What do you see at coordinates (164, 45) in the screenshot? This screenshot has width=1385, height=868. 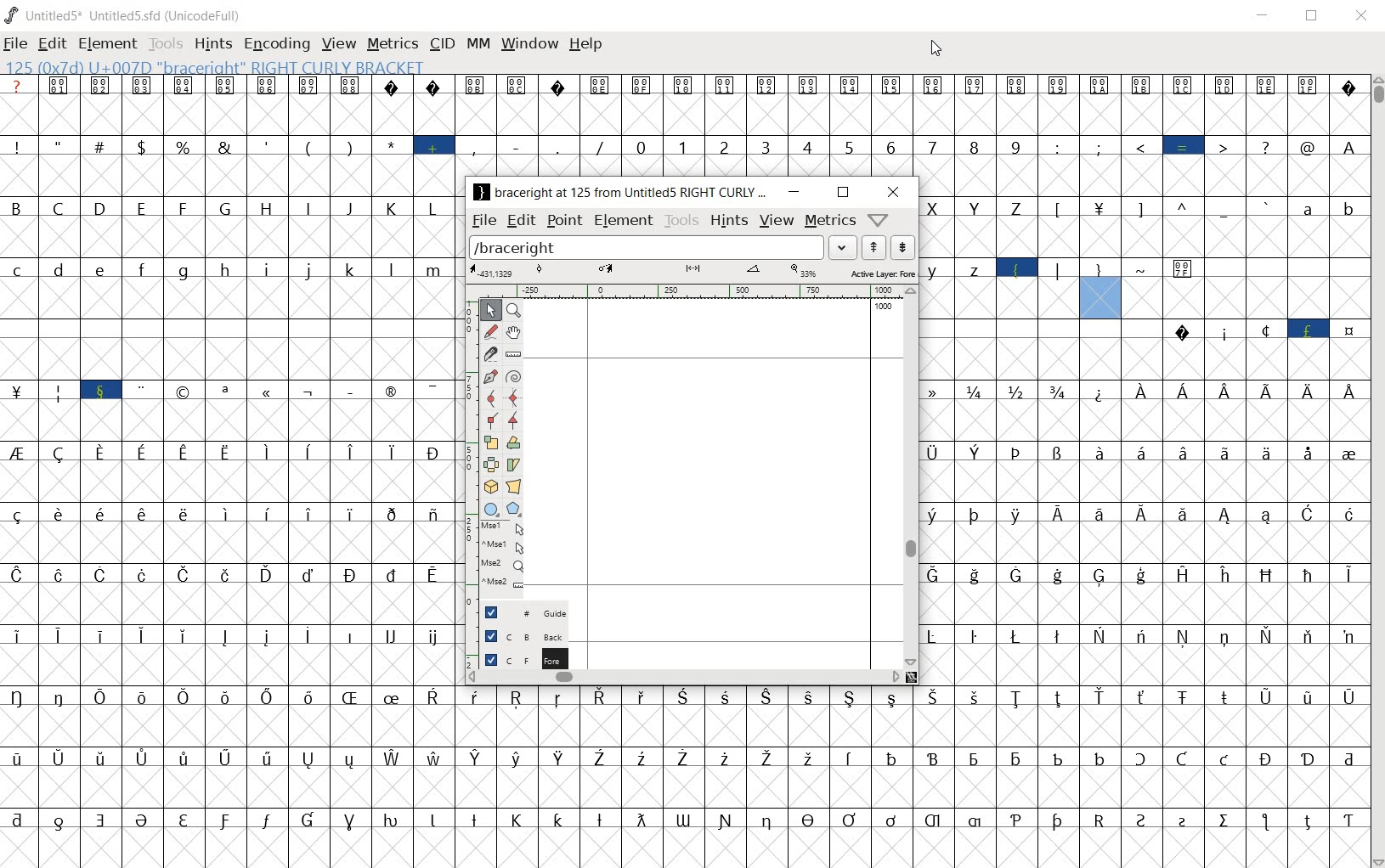 I see `TOOLS` at bounding box center [164, 45].